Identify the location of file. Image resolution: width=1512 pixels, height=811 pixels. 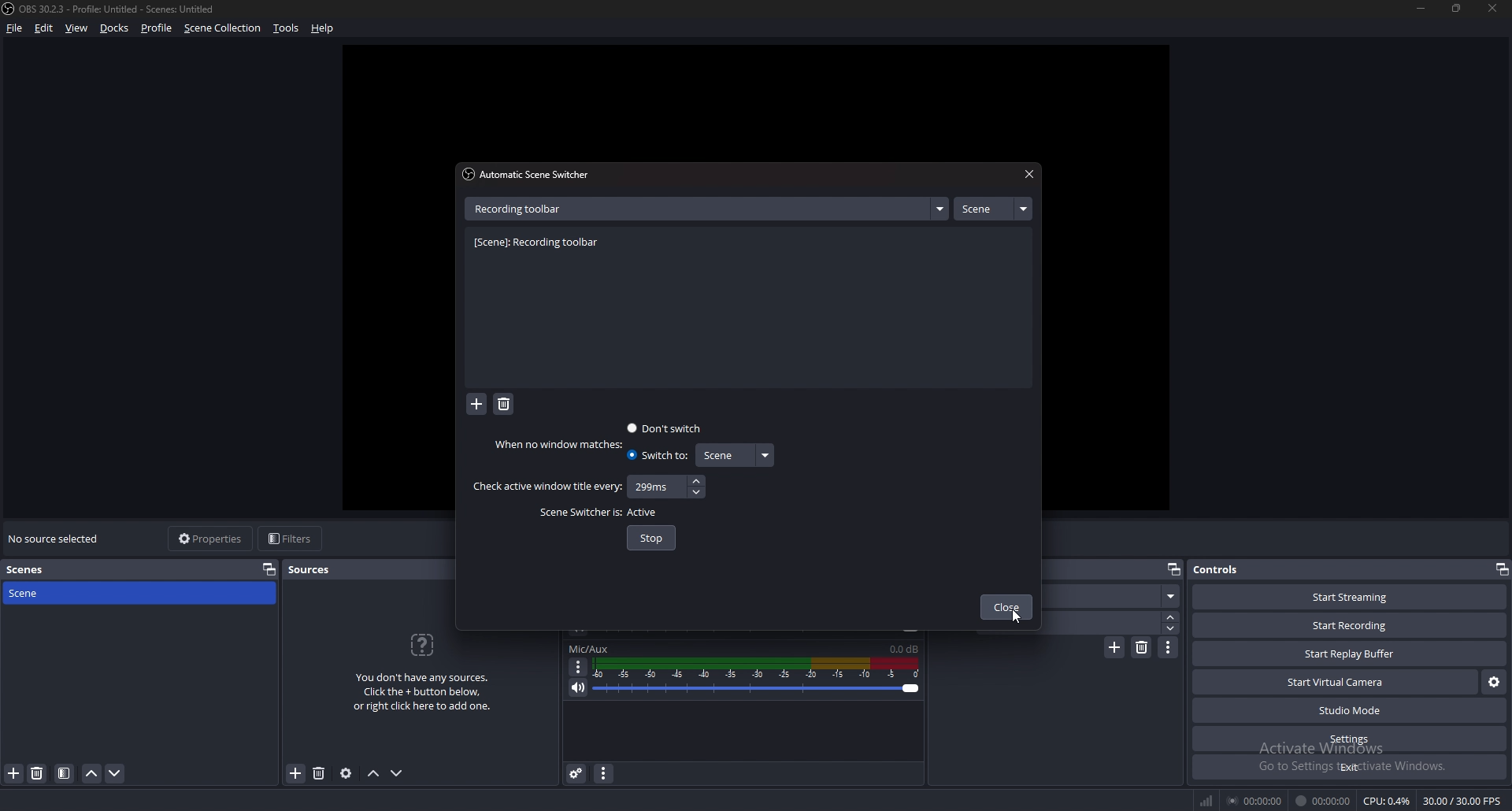
(16, 28).